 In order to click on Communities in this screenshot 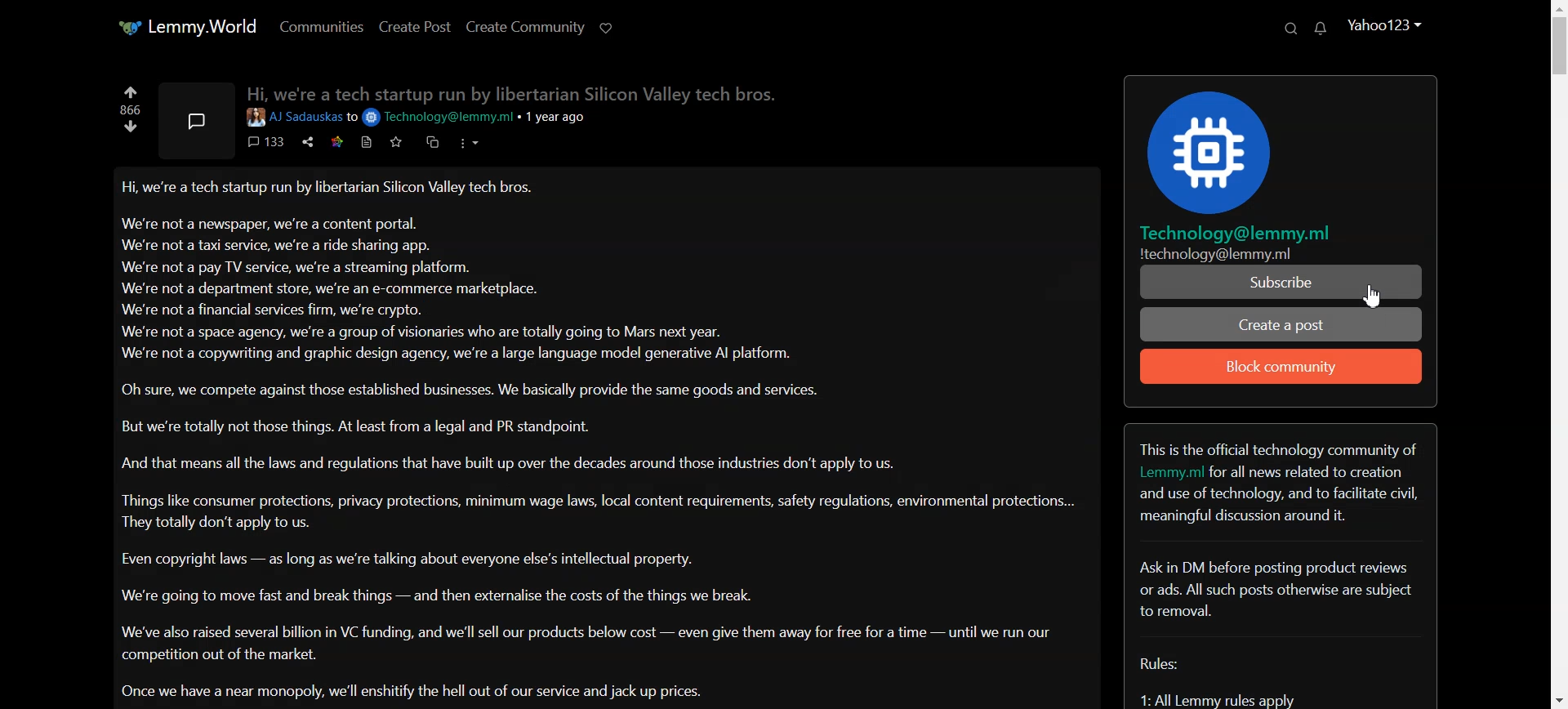, I will do `click(324, 27)`.